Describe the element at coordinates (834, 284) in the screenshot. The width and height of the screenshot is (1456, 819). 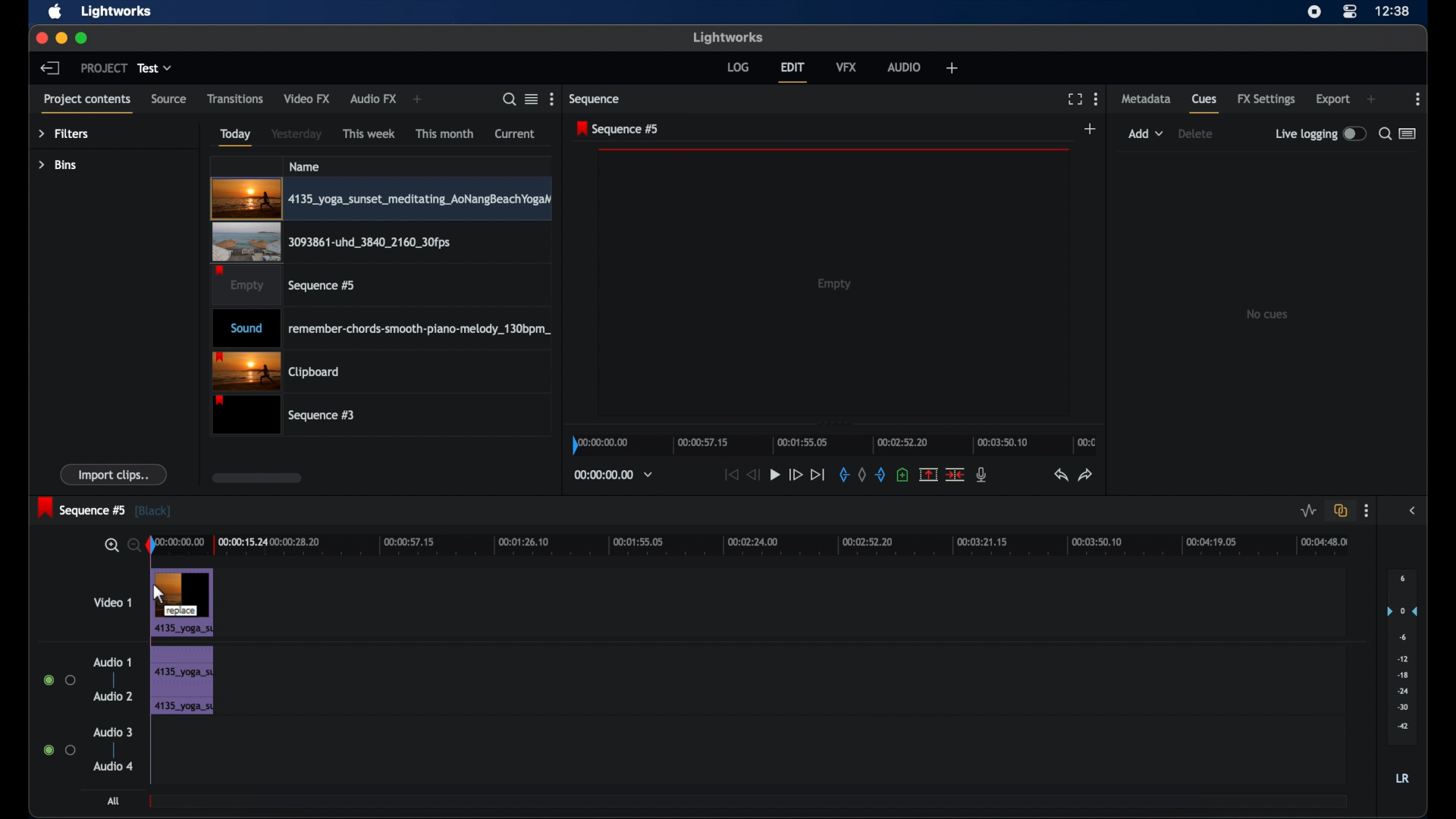
I see `empty` at that location.